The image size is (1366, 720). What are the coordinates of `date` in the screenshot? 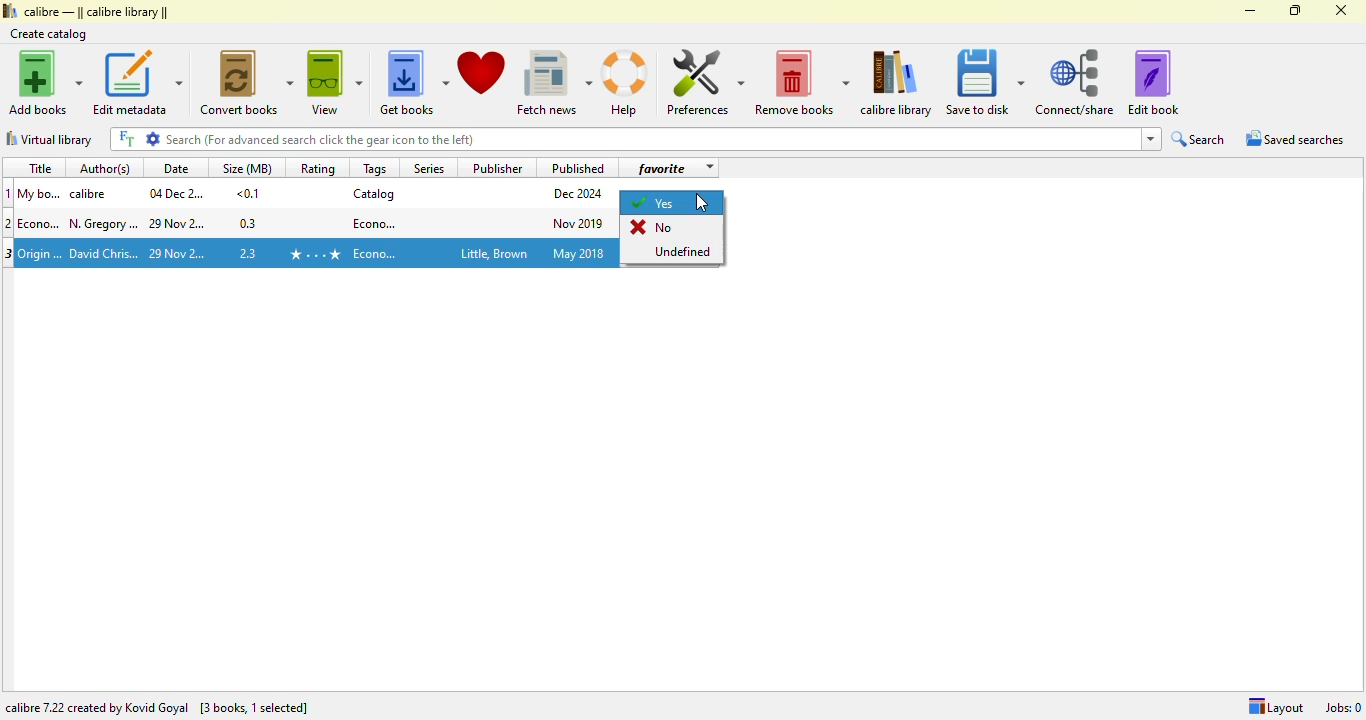 It's located at (176, 168).